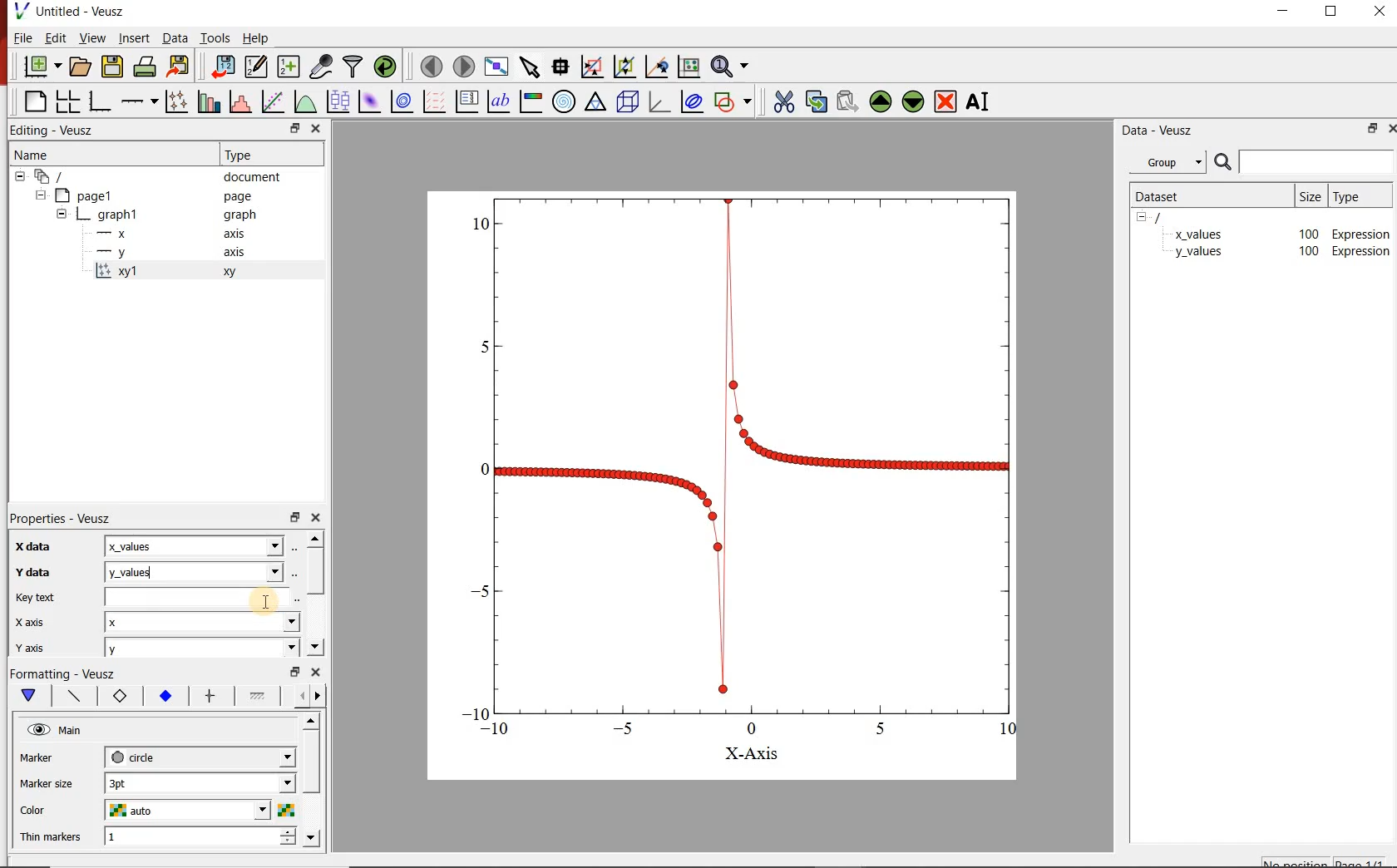  What do you see at coordinates (260, 37) in the screenshot?
I see `help` at bounding box center [260, 37].